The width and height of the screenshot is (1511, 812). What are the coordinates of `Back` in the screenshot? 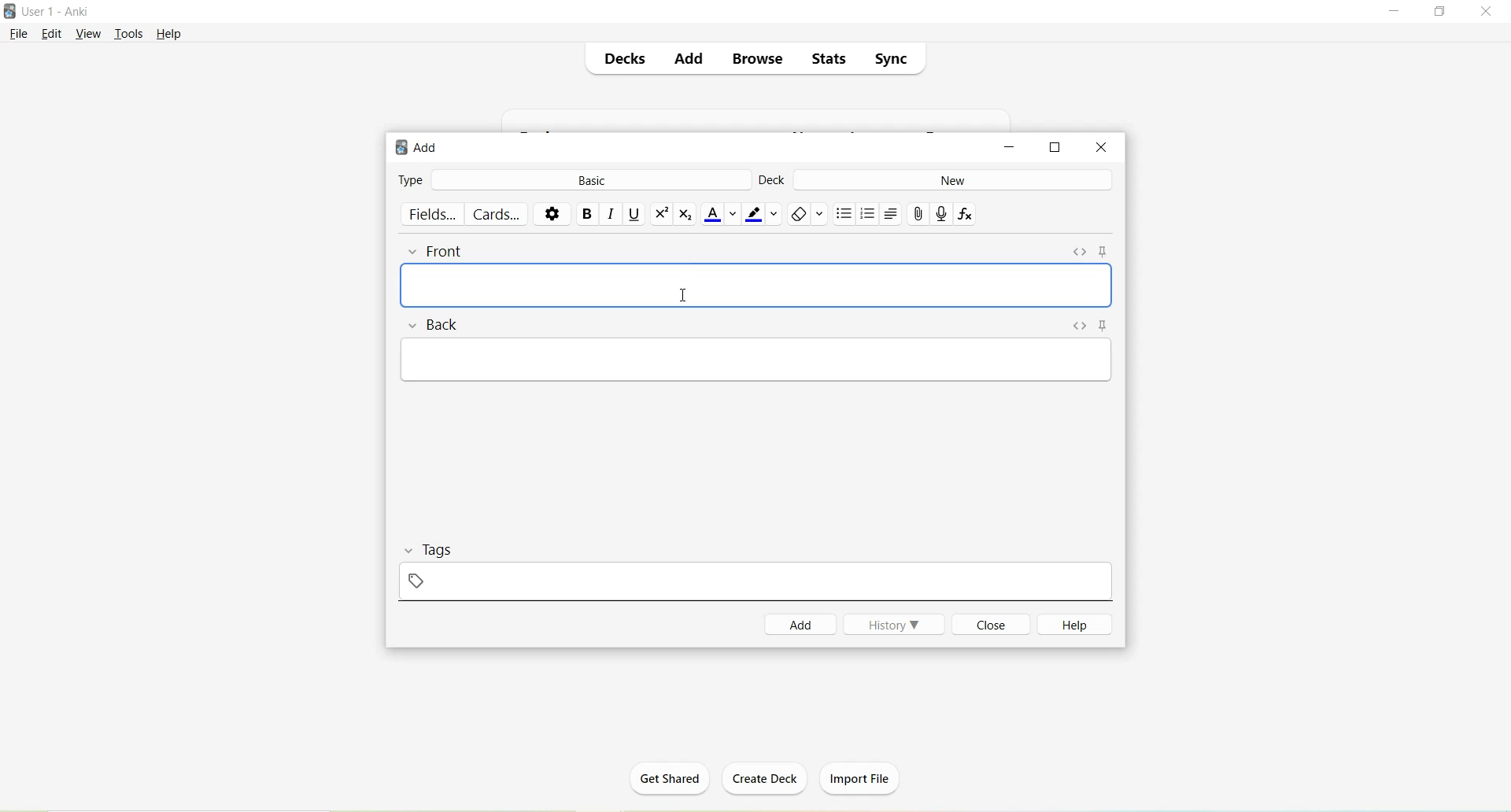 It's located at (447, 326).